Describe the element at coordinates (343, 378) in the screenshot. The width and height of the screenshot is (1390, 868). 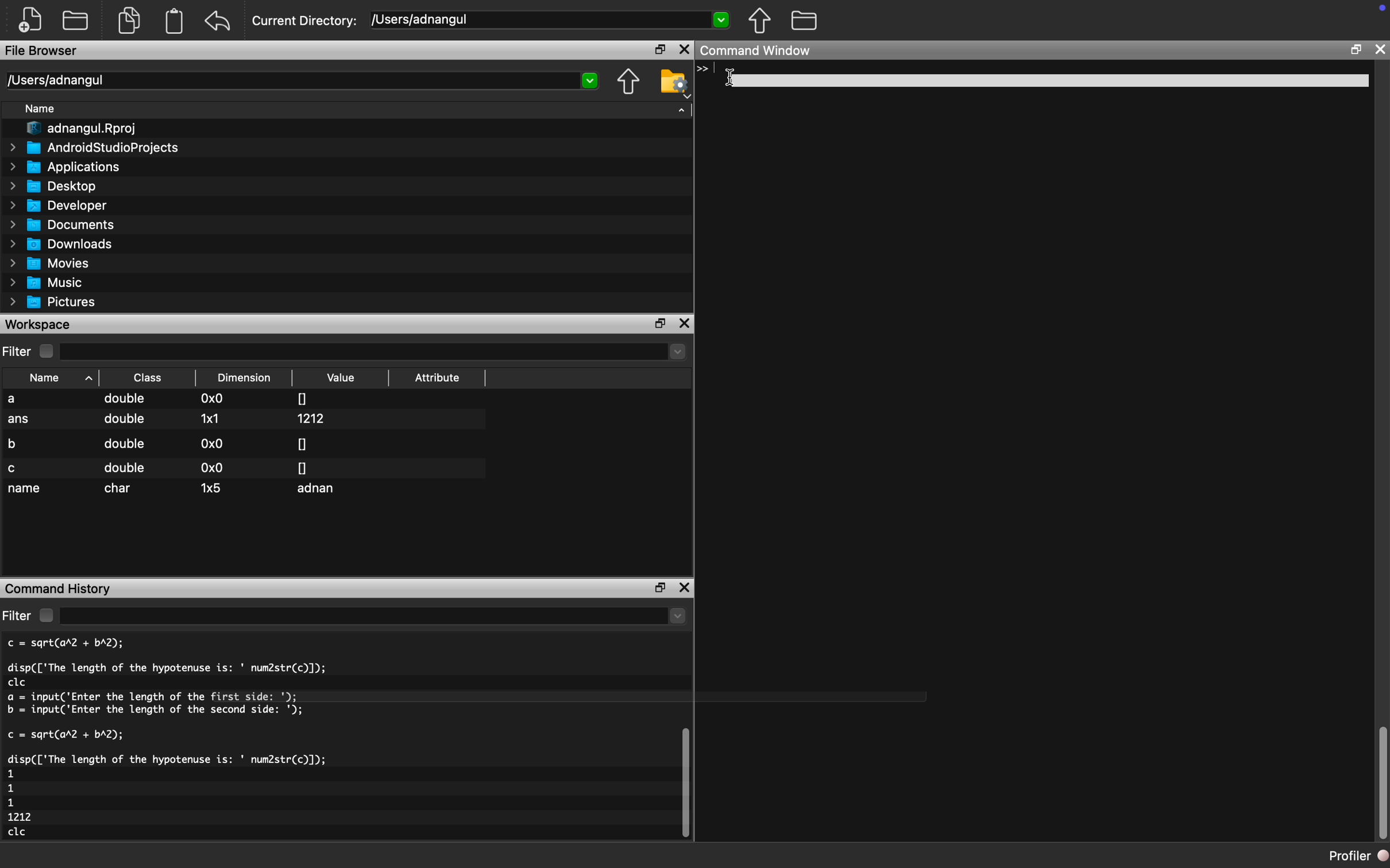
I see `Value` at that location.